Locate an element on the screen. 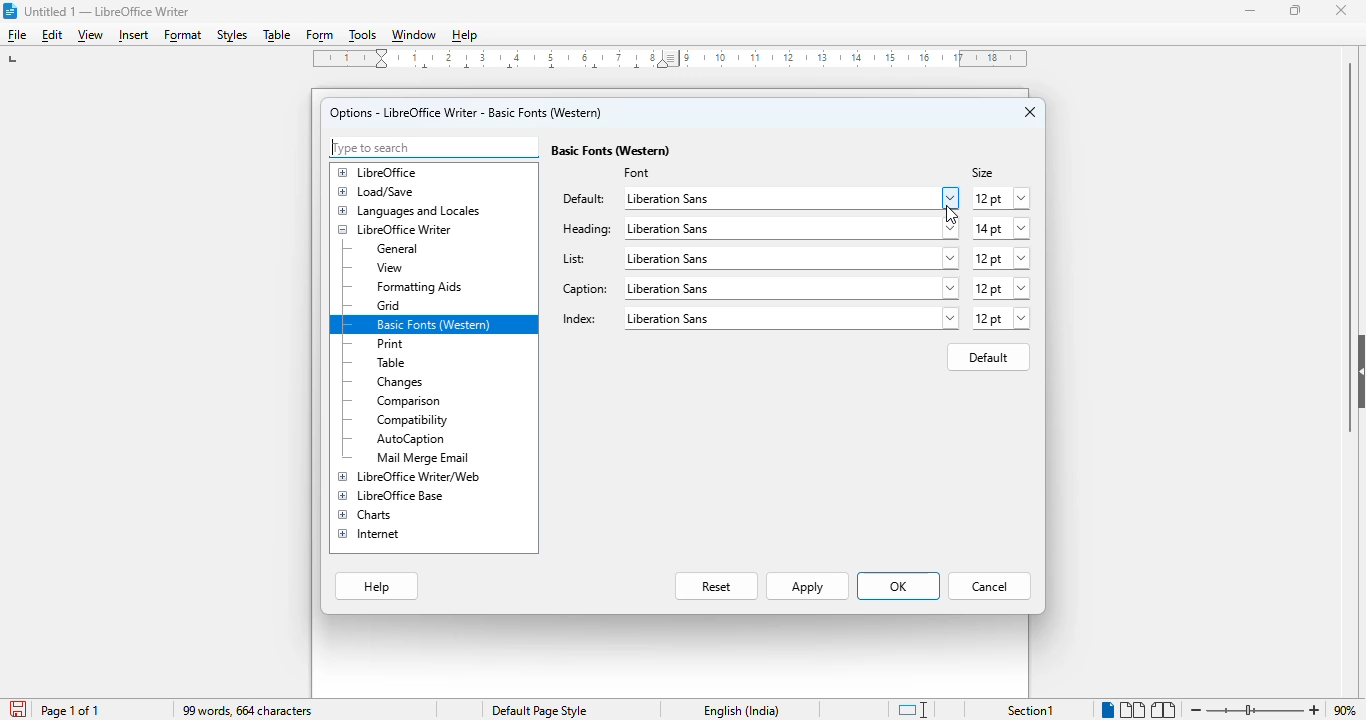 This screenshot has width=1366, height=720. book view is located at coordinates (1163, 710).